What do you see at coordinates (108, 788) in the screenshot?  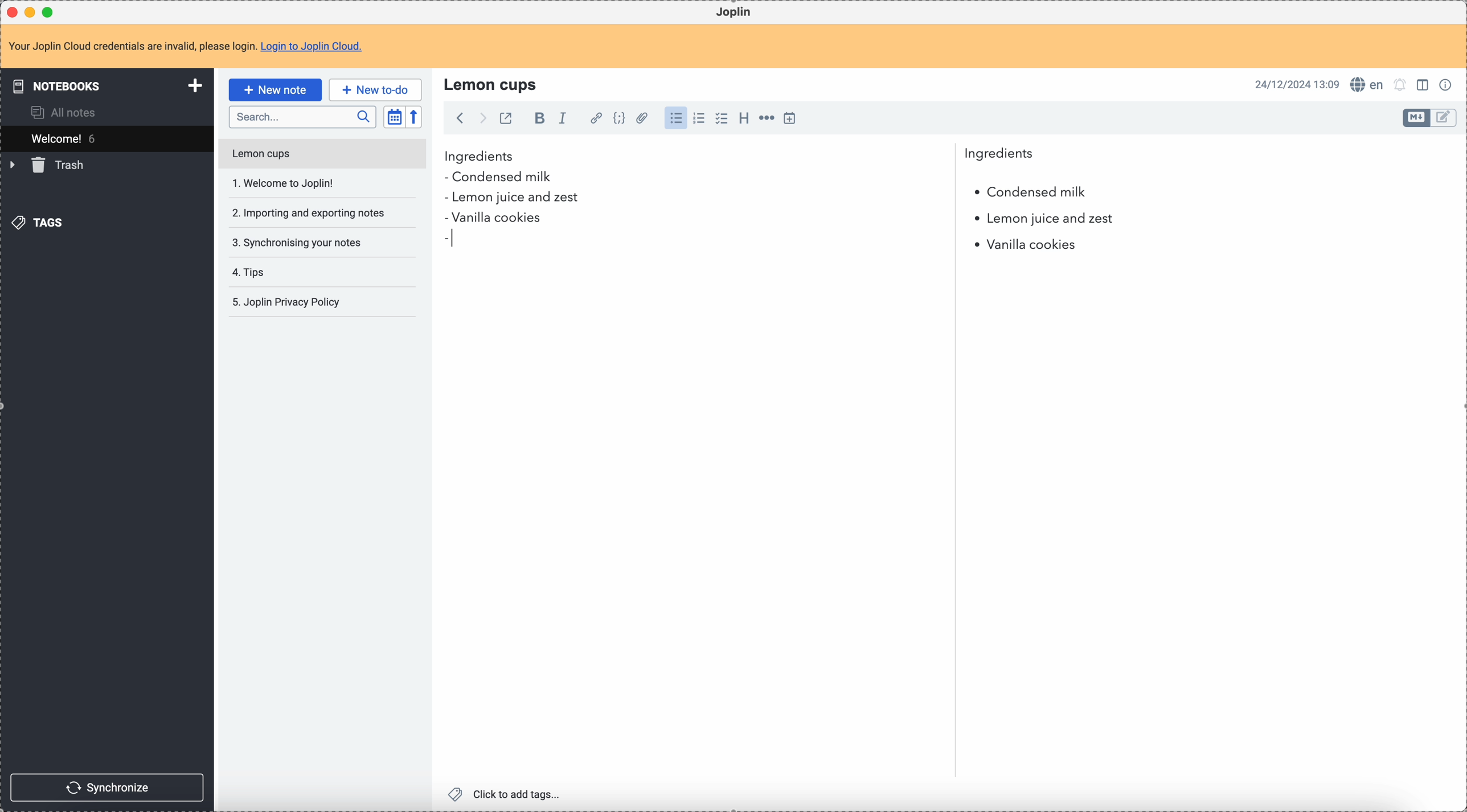 I see `synchronize` at bounding box center [108, 788].